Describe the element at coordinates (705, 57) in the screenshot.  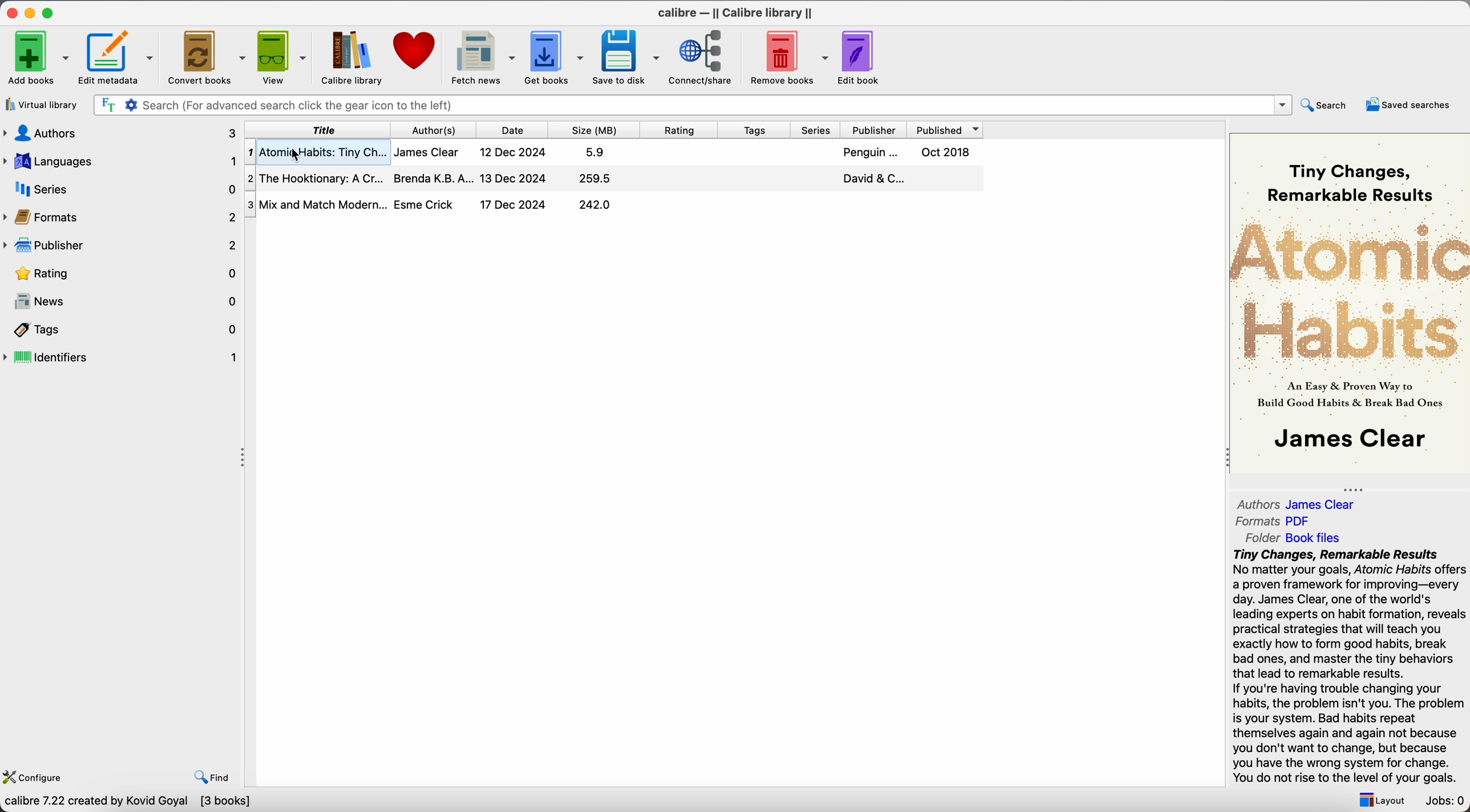
I see `connect/share` at that location.